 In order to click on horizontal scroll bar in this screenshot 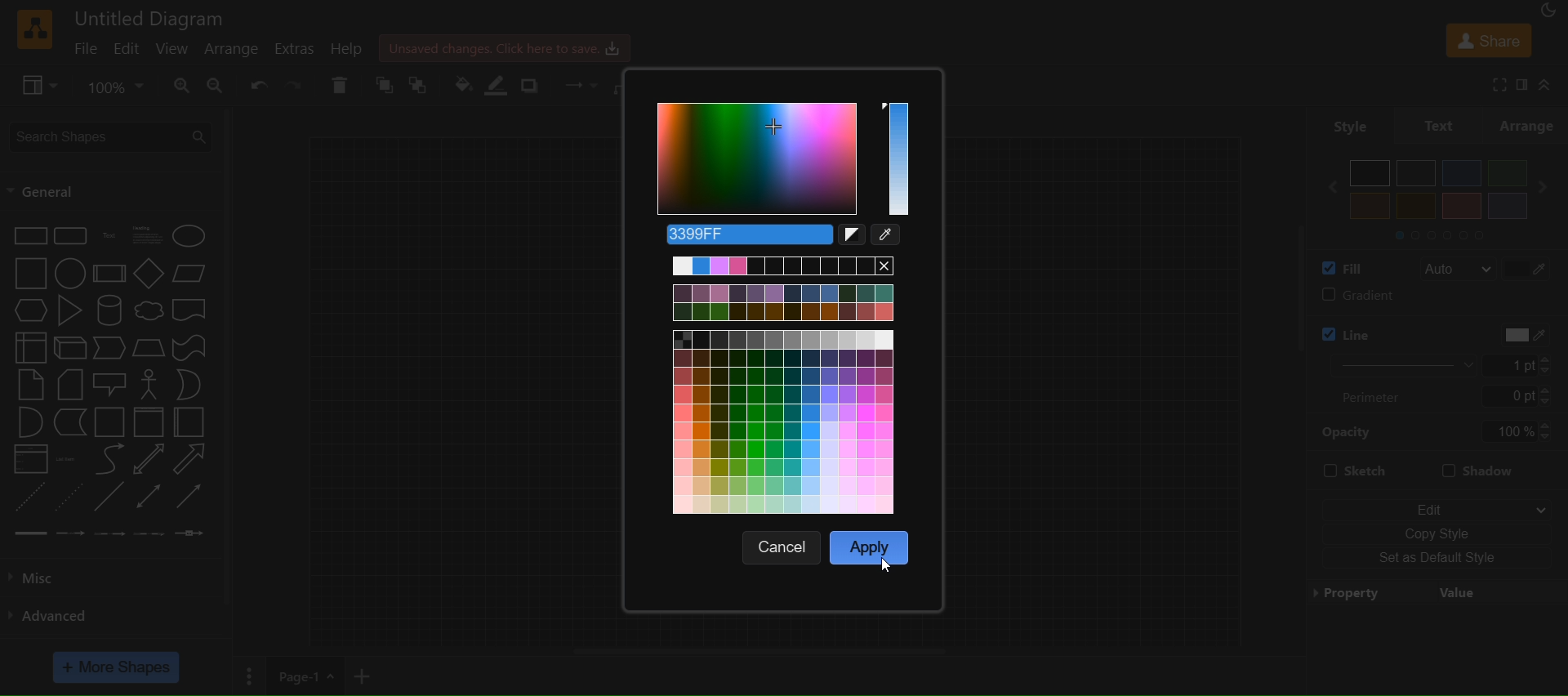, I will do `click(760, 651)`.